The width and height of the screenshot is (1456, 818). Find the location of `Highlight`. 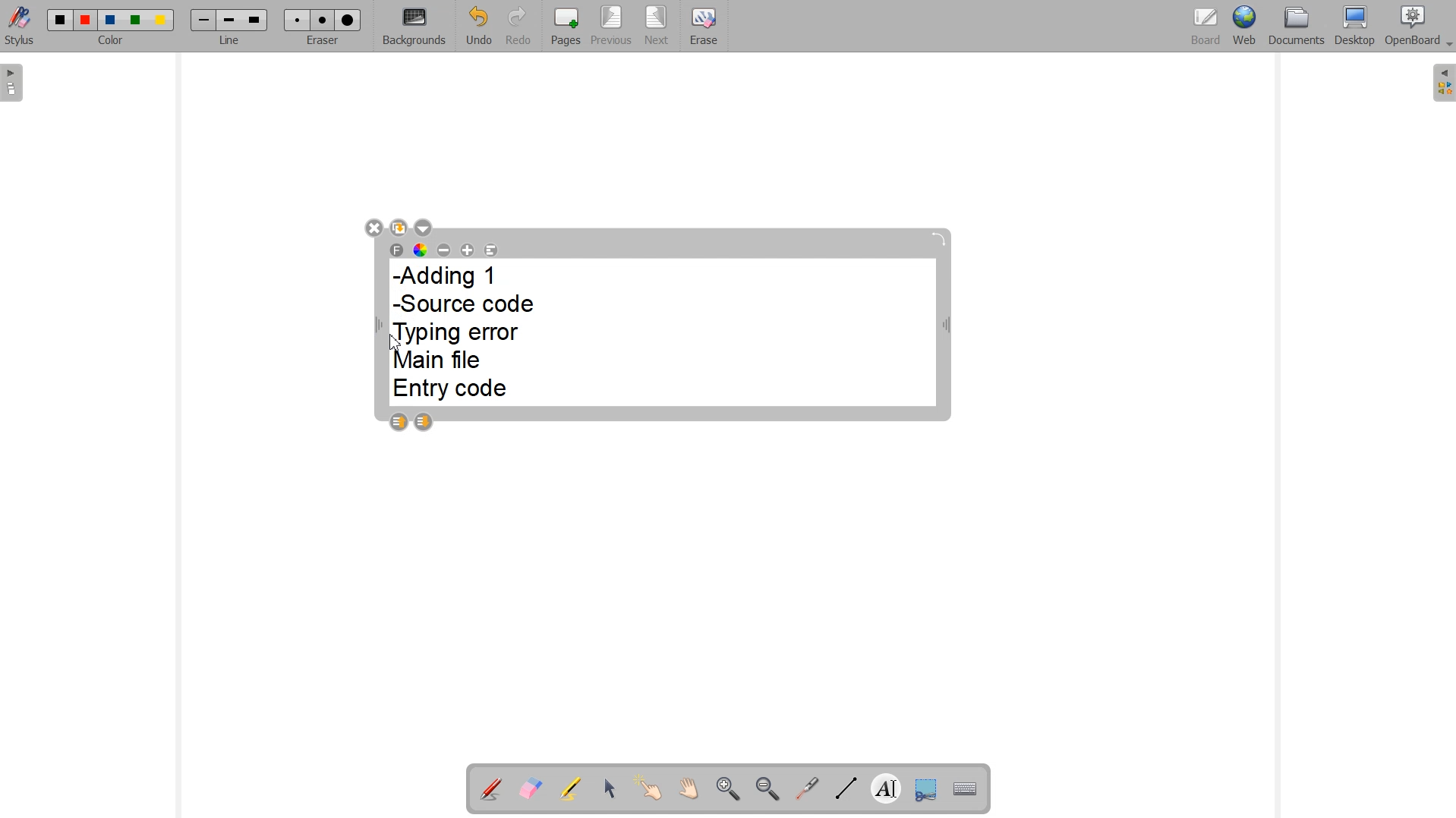

Highlight is located at coordinates (572, 788).